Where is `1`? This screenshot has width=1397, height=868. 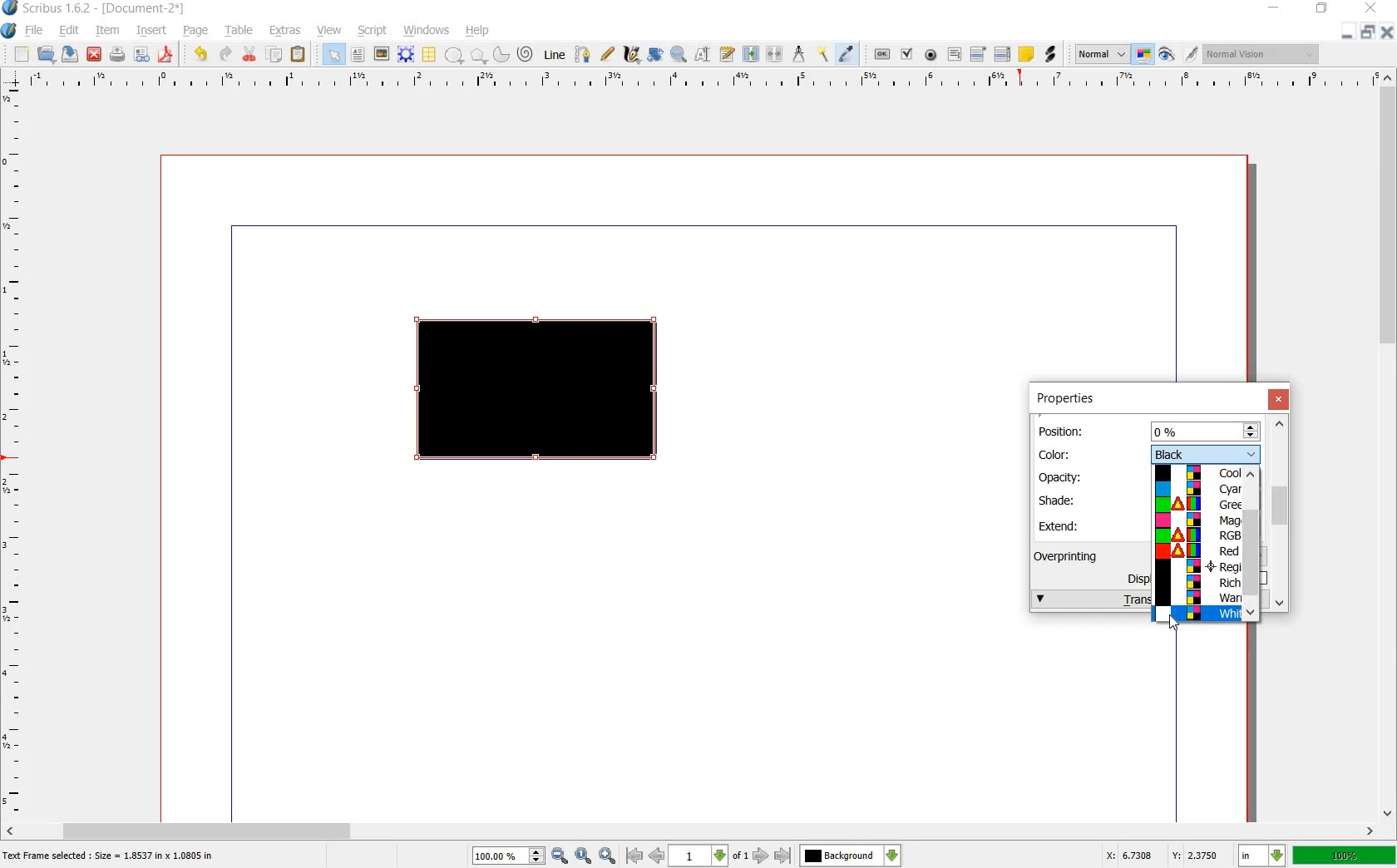 1 is located at coordinates (697, 856).